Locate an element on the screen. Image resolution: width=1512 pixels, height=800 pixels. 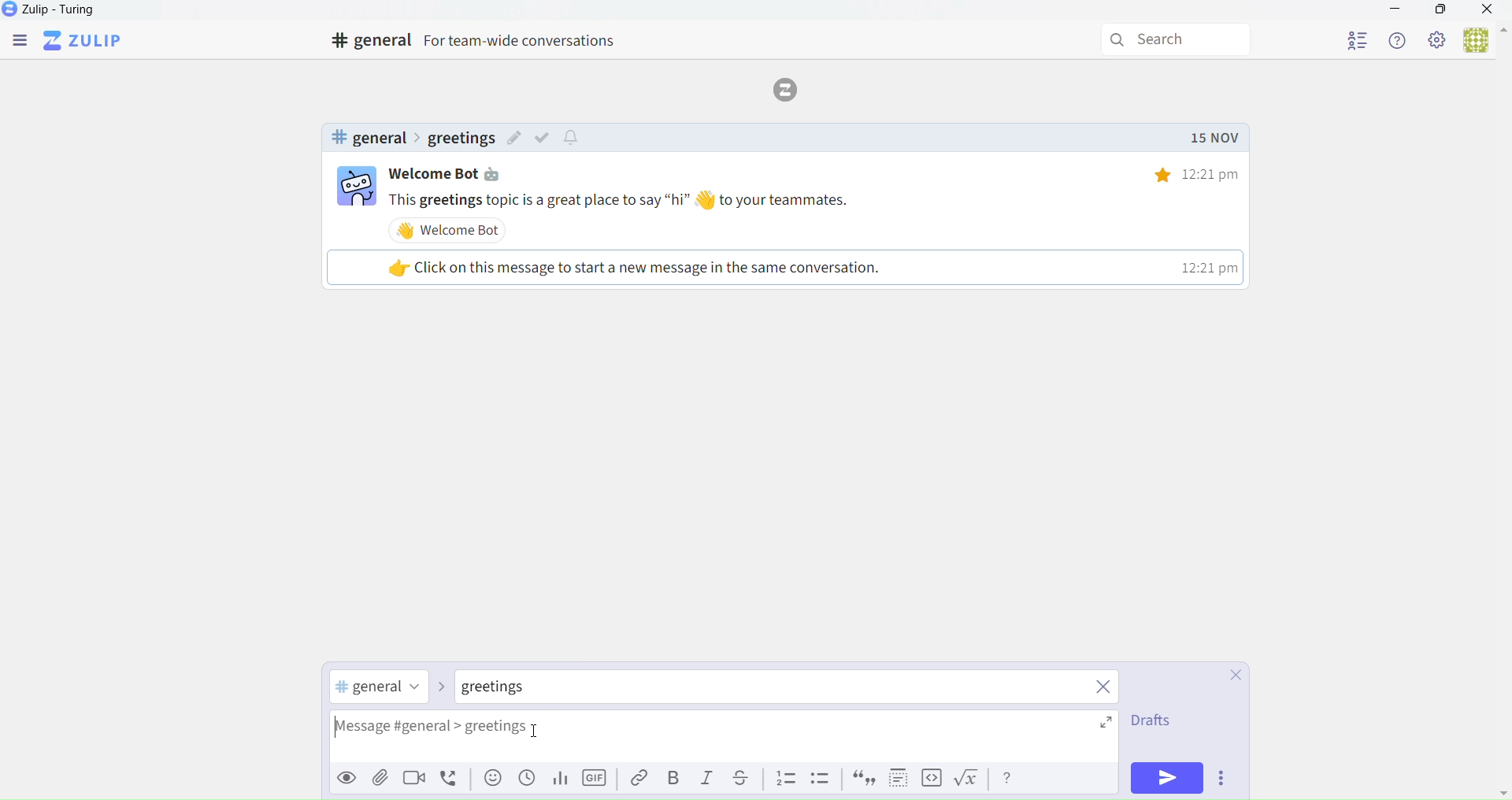
notify is located at coordinates (573, 139).